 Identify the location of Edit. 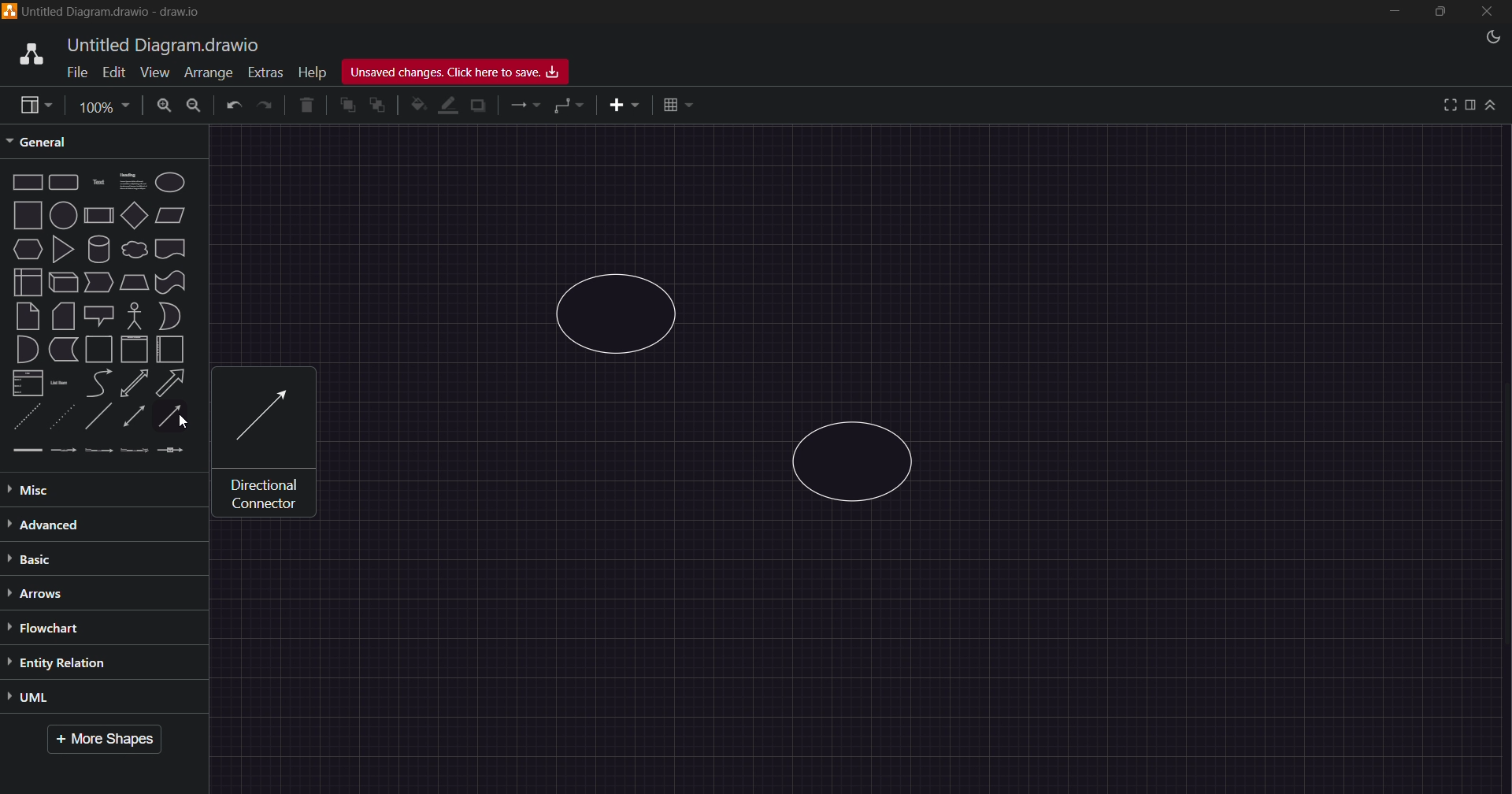
(110, 71).